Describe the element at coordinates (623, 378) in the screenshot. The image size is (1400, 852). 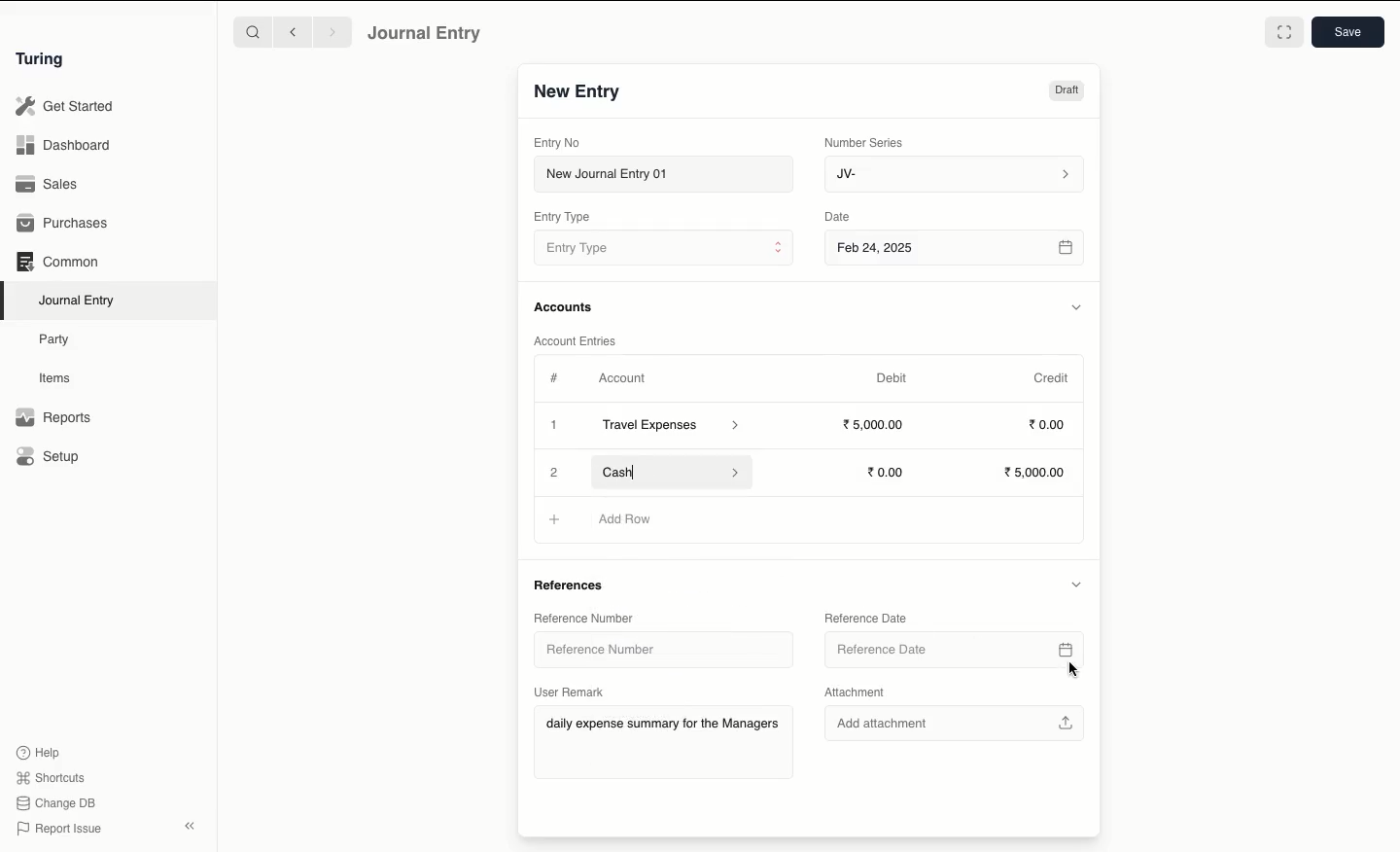
I see `Account` at that location.